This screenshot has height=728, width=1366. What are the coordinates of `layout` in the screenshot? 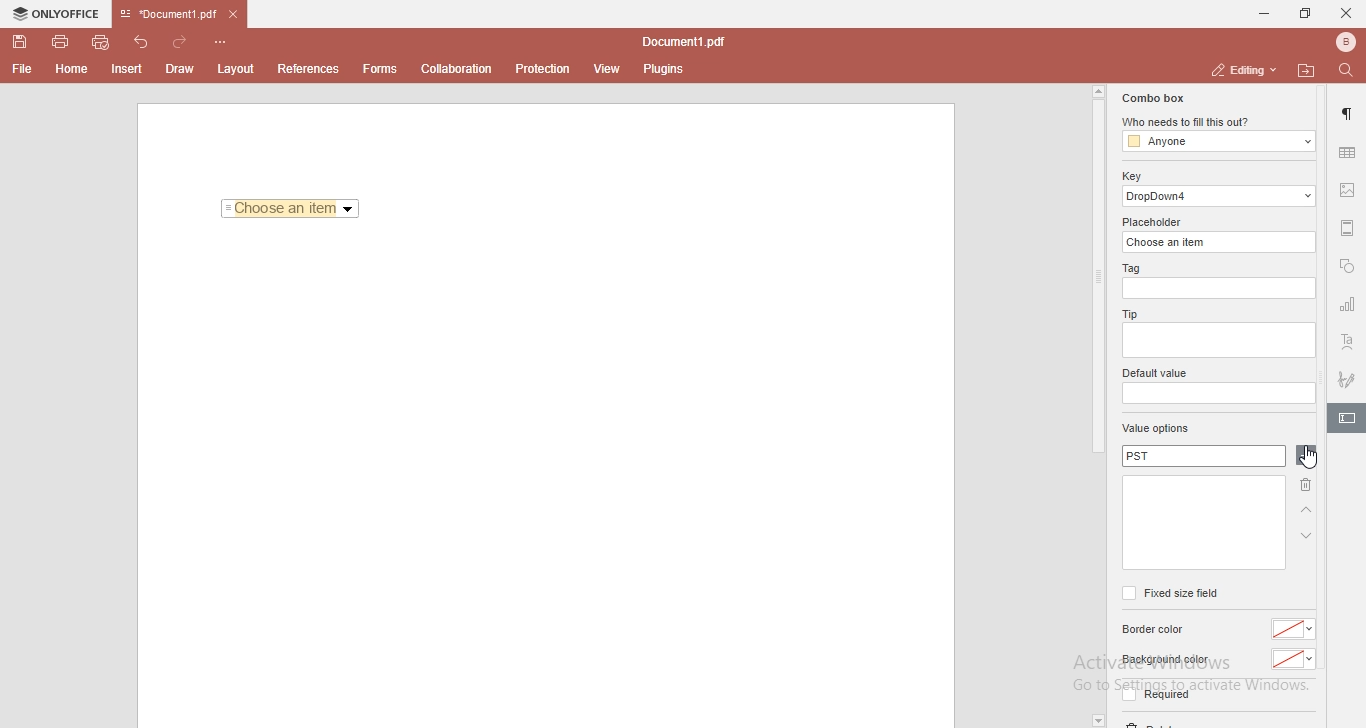 It's located at (239, 69).